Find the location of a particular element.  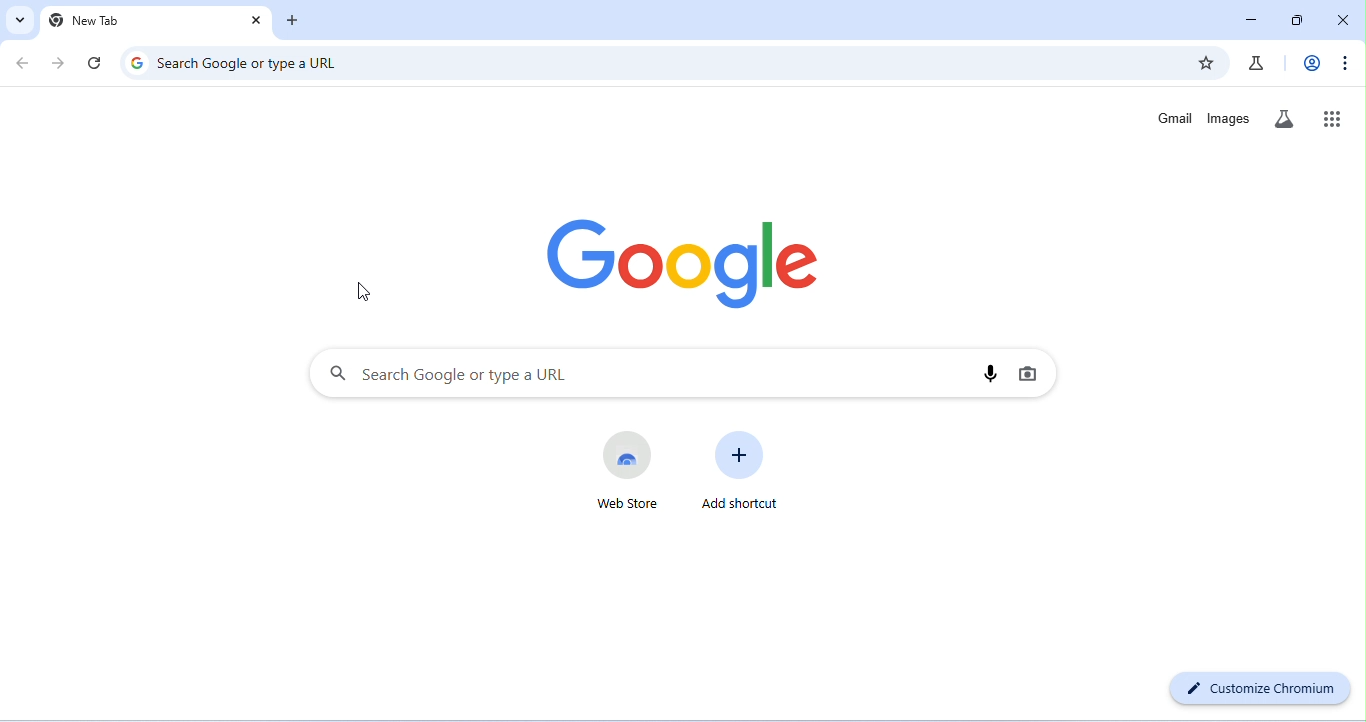

refresh is located at coordinates (96, 62).